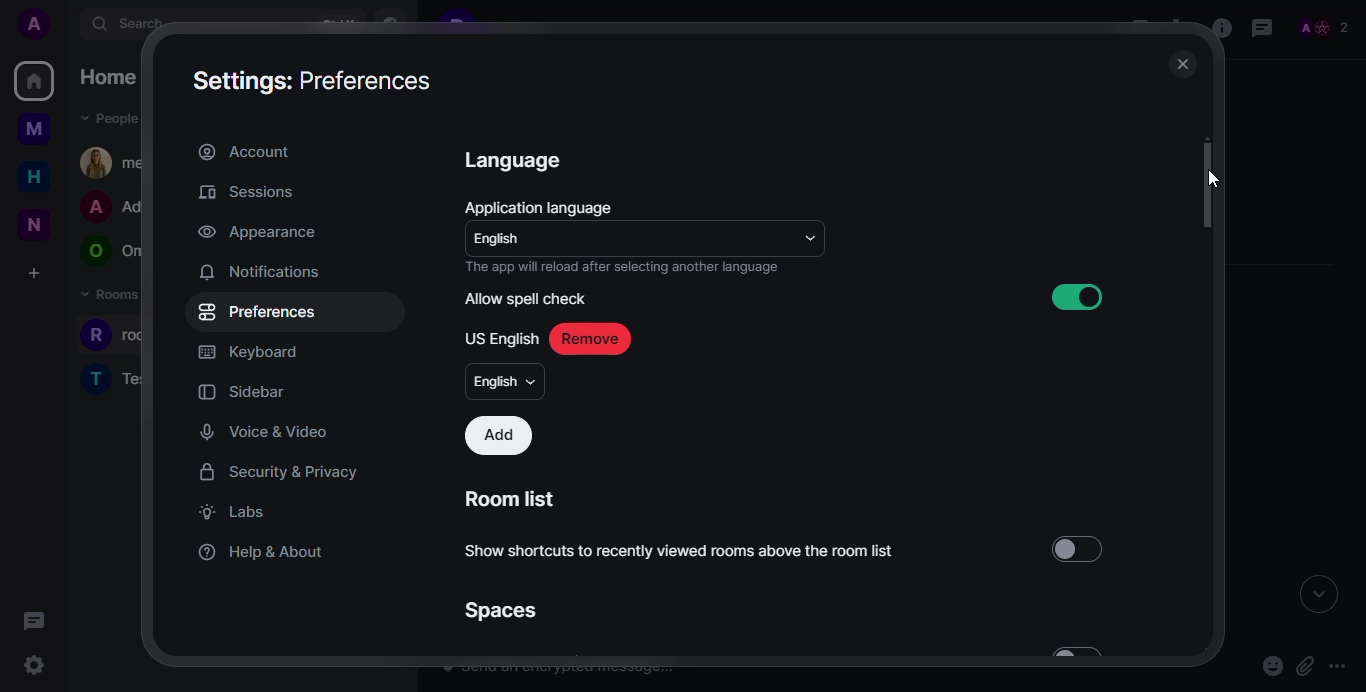 The height and width of the screenshot is (692, 1366). I want to click on attach, so click(1306, 664).